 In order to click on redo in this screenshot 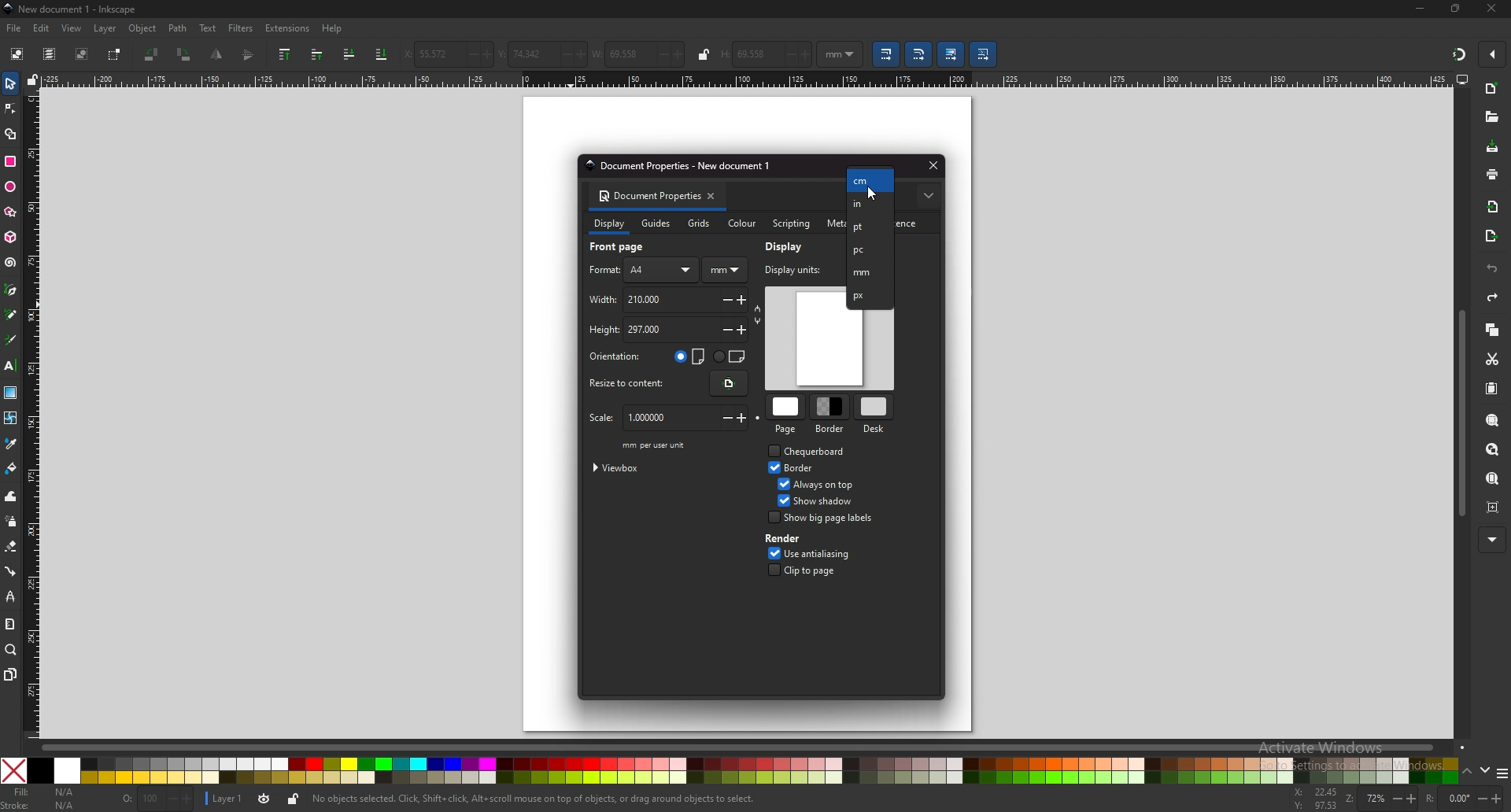, I will do `click(1493, 297)`.